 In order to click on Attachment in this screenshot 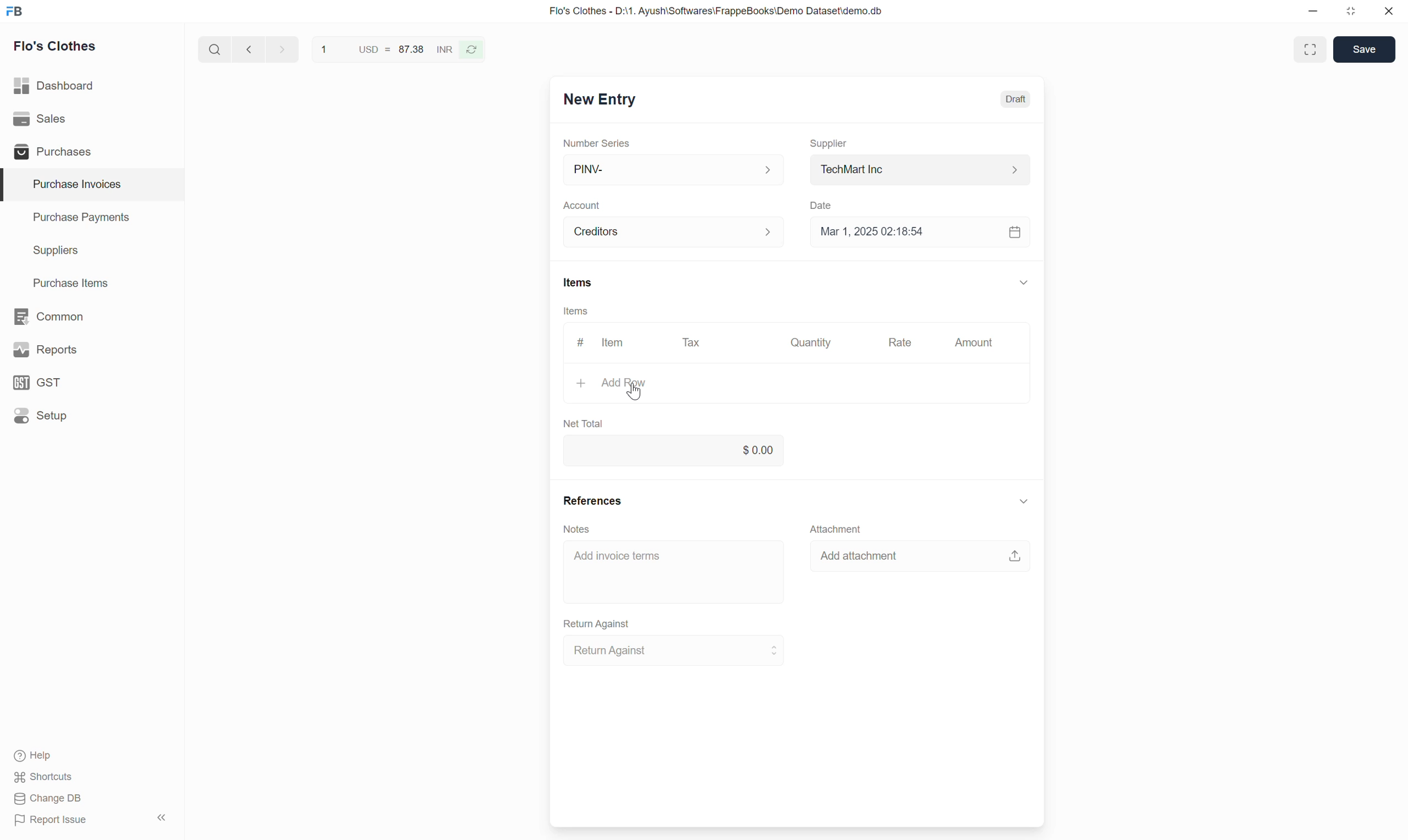, I will do `click(836, 529)`.